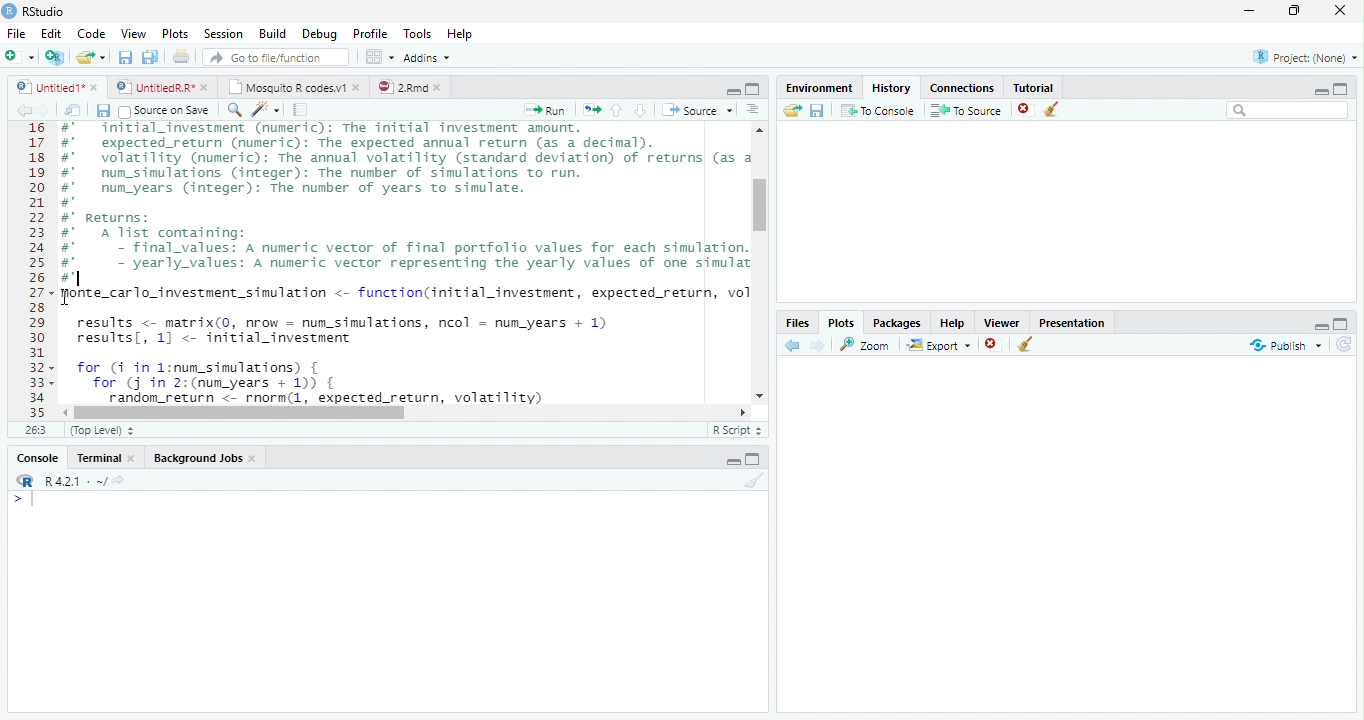 Image resolution: width=1364 pixels, height=720 pixels. What do you see at coordinates (642, 111) in the screenshot?
I see `Go to next section of code` at bounding box center [642, 111].